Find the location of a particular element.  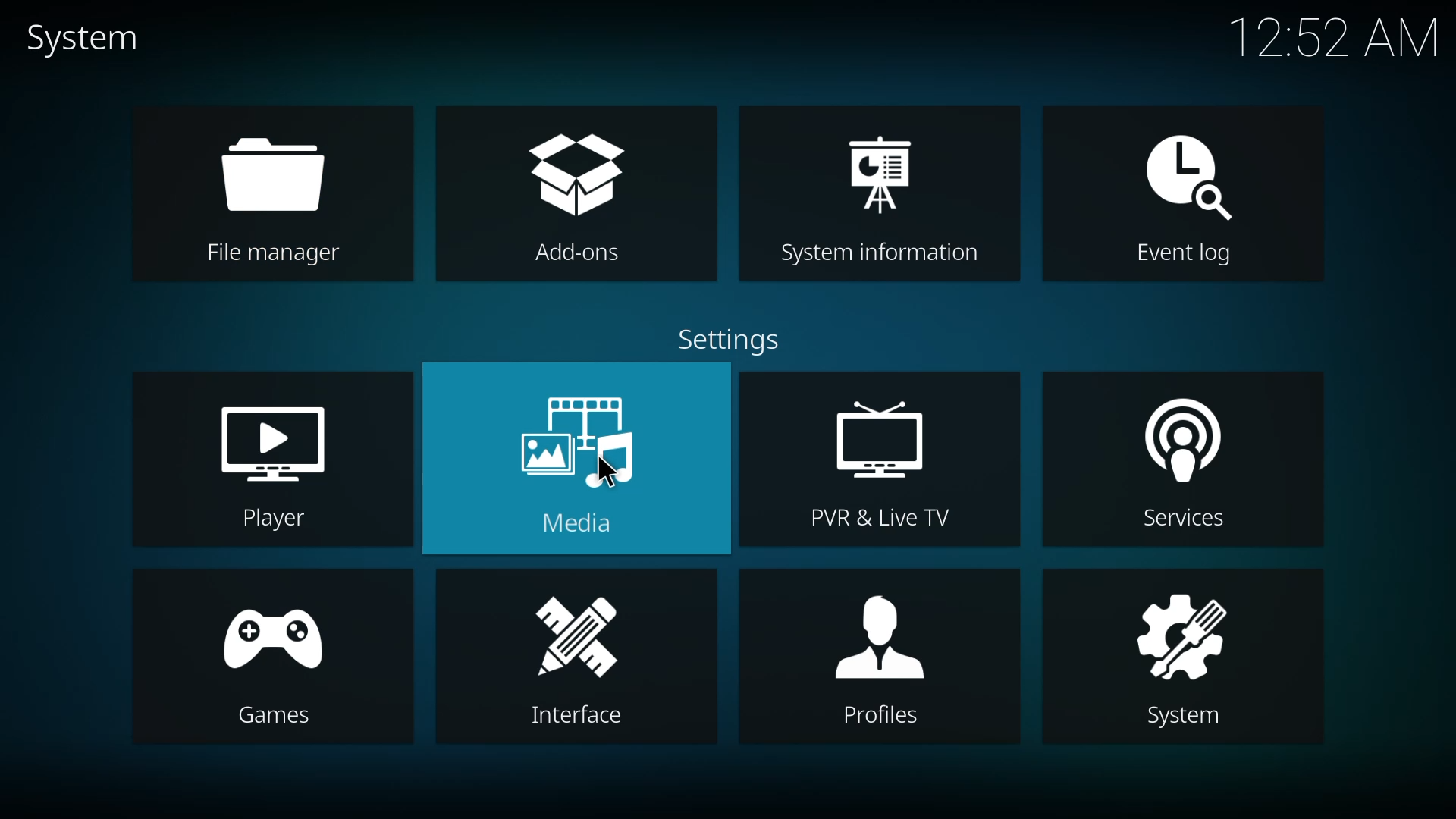

event log is located at coordinates (1190, 171).